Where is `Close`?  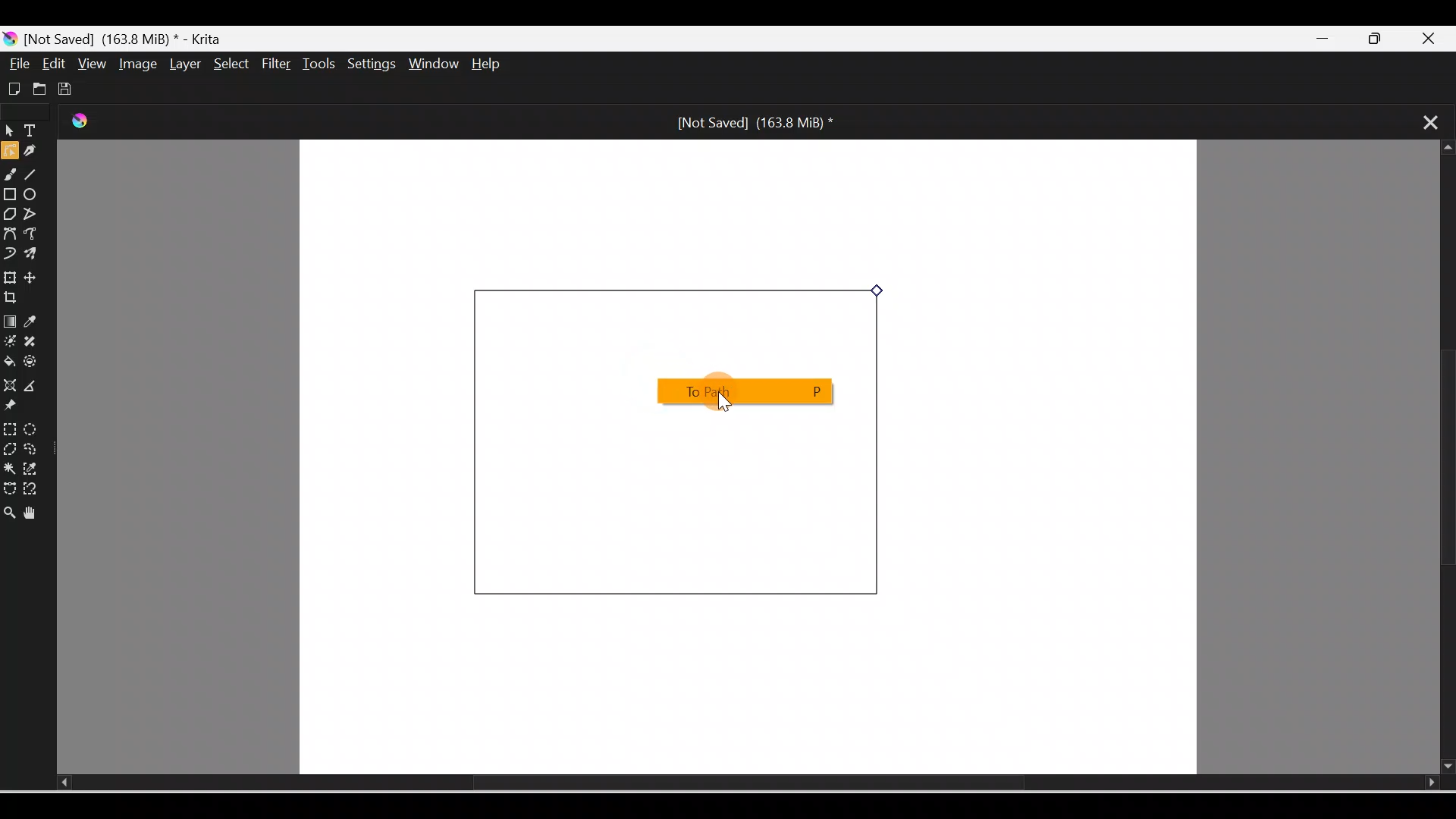 Close is located at coordinates (1436, 36).